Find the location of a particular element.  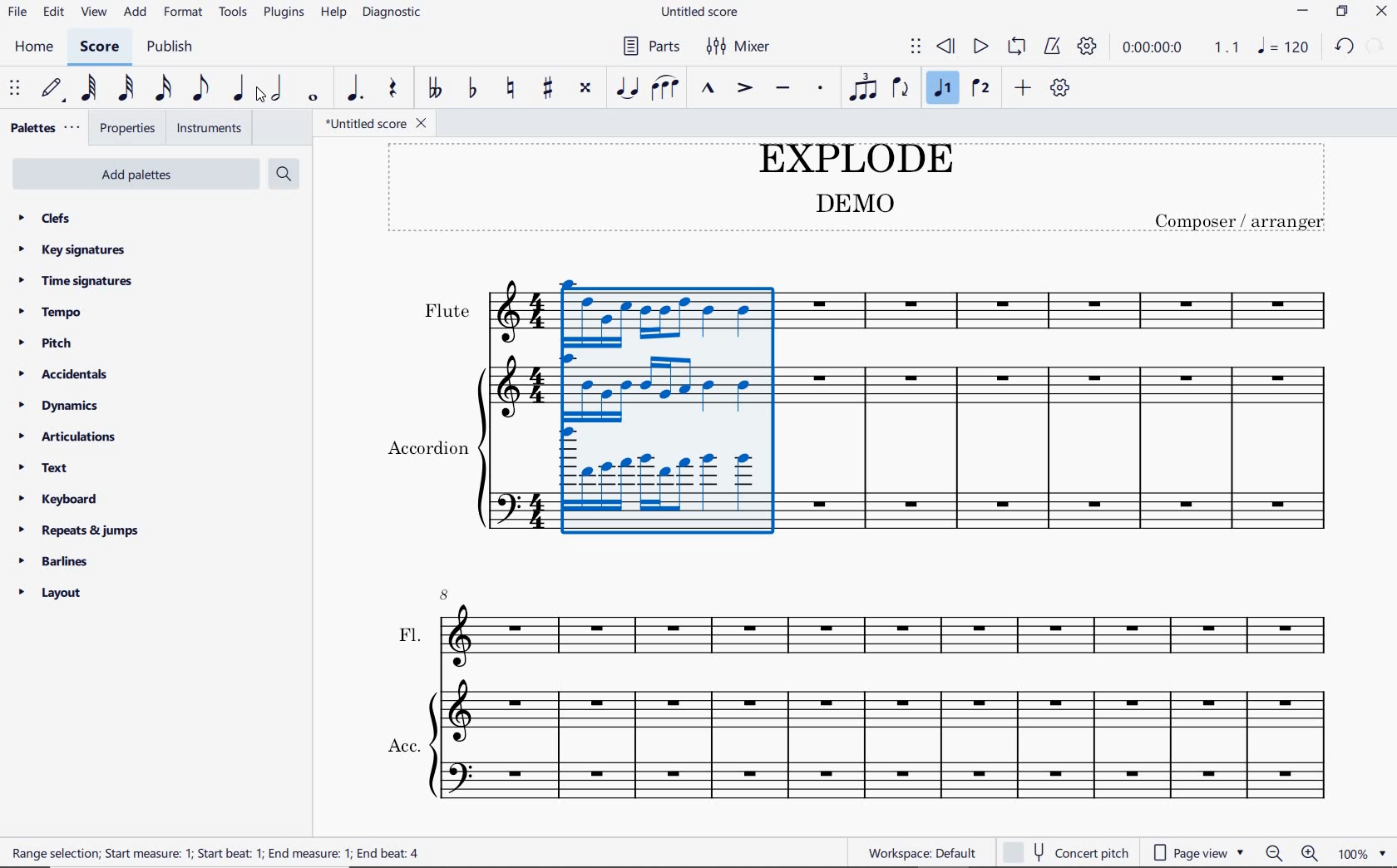

voice 2 is located at coordinates (976, 88).